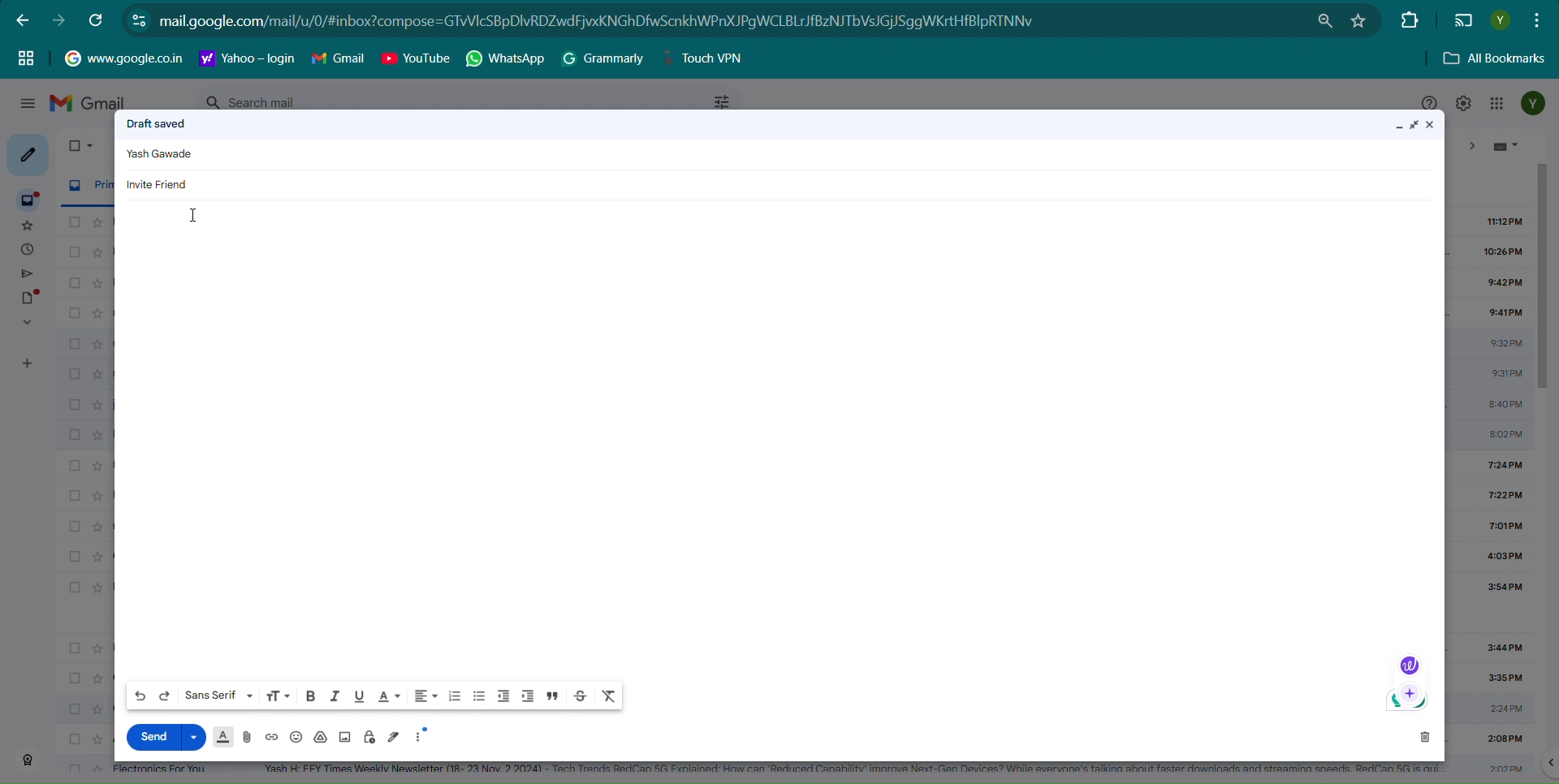 The height and width of the screenshot is (784, 1559). Describe the element at coordinates (296, 738) in the screenshot. I see `Insert Emoji` at that location.